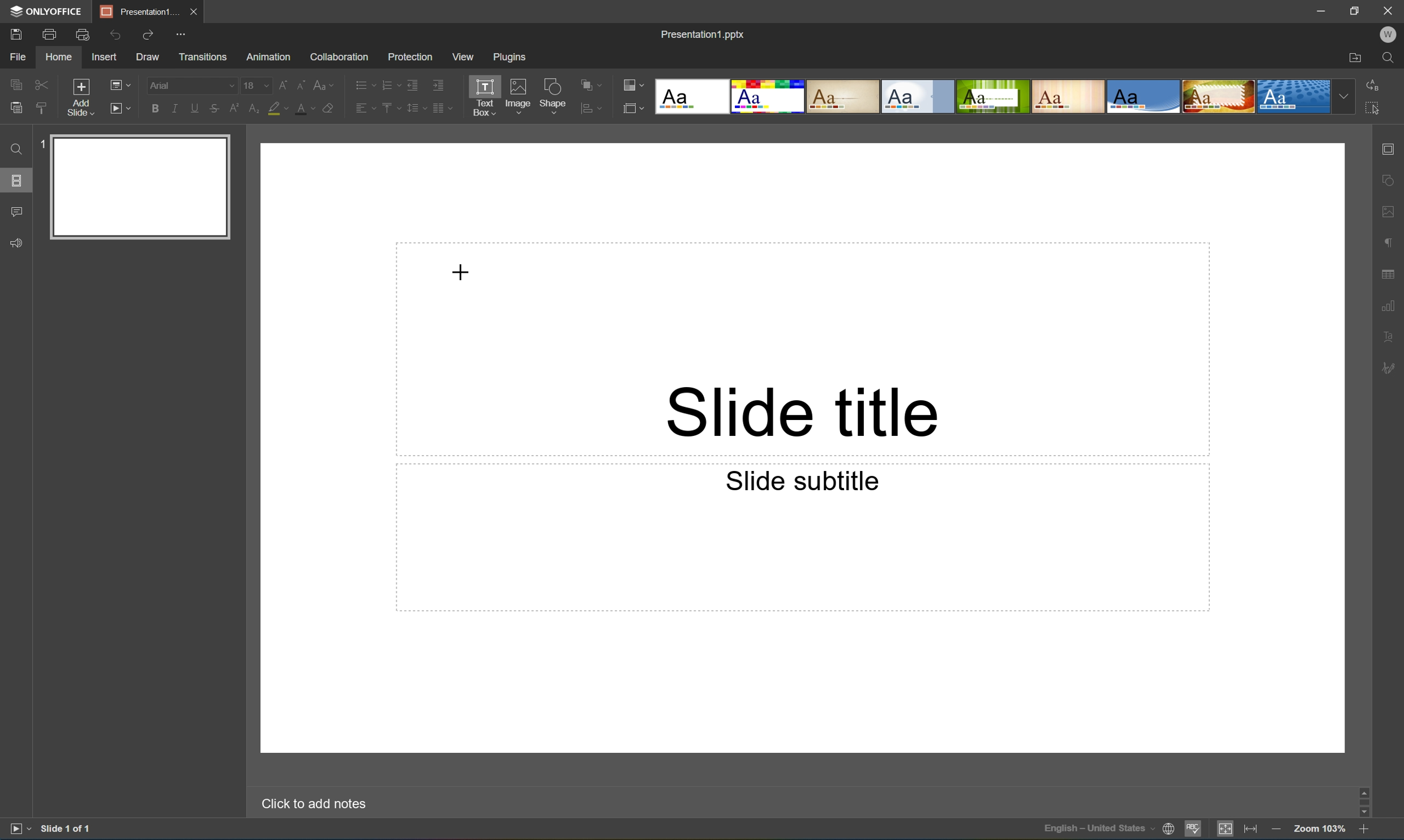  Describe the element at coordinates (1390, 275) in the screenshot. I see `table settings` at that location.